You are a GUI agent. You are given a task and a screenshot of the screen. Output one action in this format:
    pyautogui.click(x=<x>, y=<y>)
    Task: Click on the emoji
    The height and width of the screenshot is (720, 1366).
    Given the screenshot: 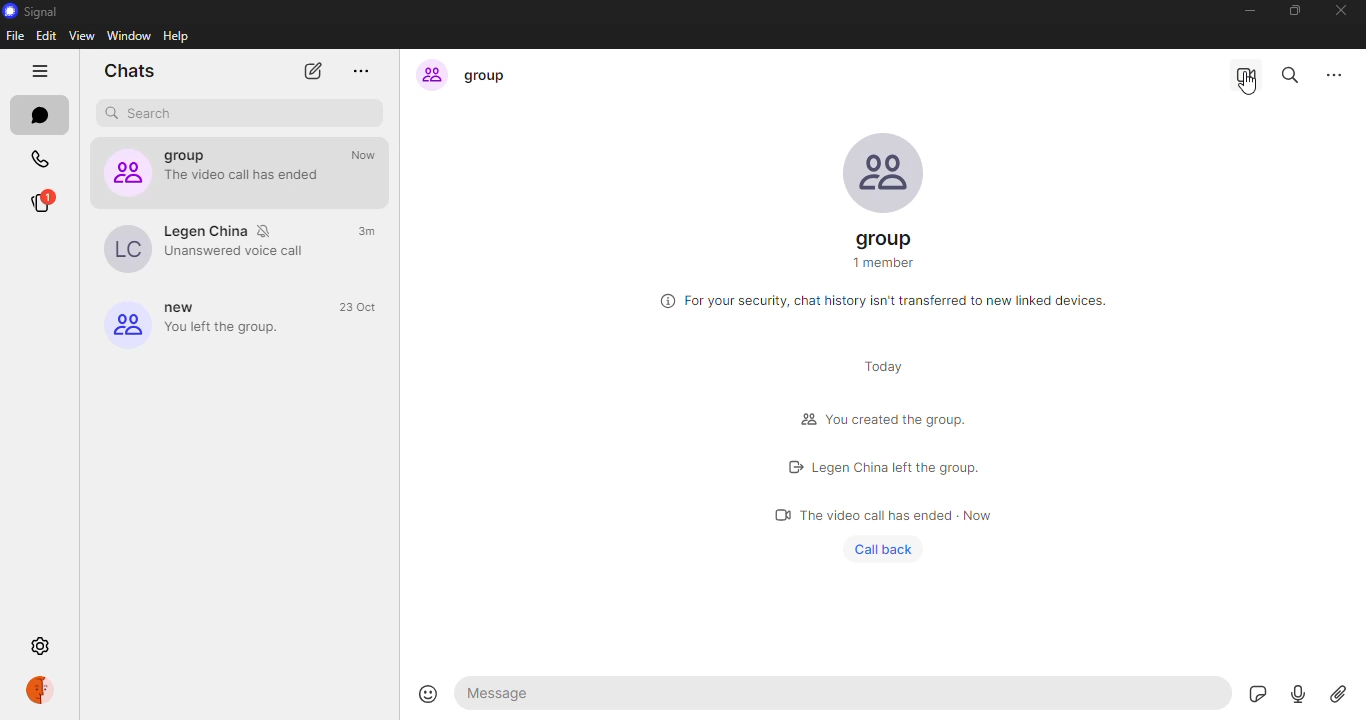 What is the action you would take?
    pyautogui.click(x=427, y=693)
    